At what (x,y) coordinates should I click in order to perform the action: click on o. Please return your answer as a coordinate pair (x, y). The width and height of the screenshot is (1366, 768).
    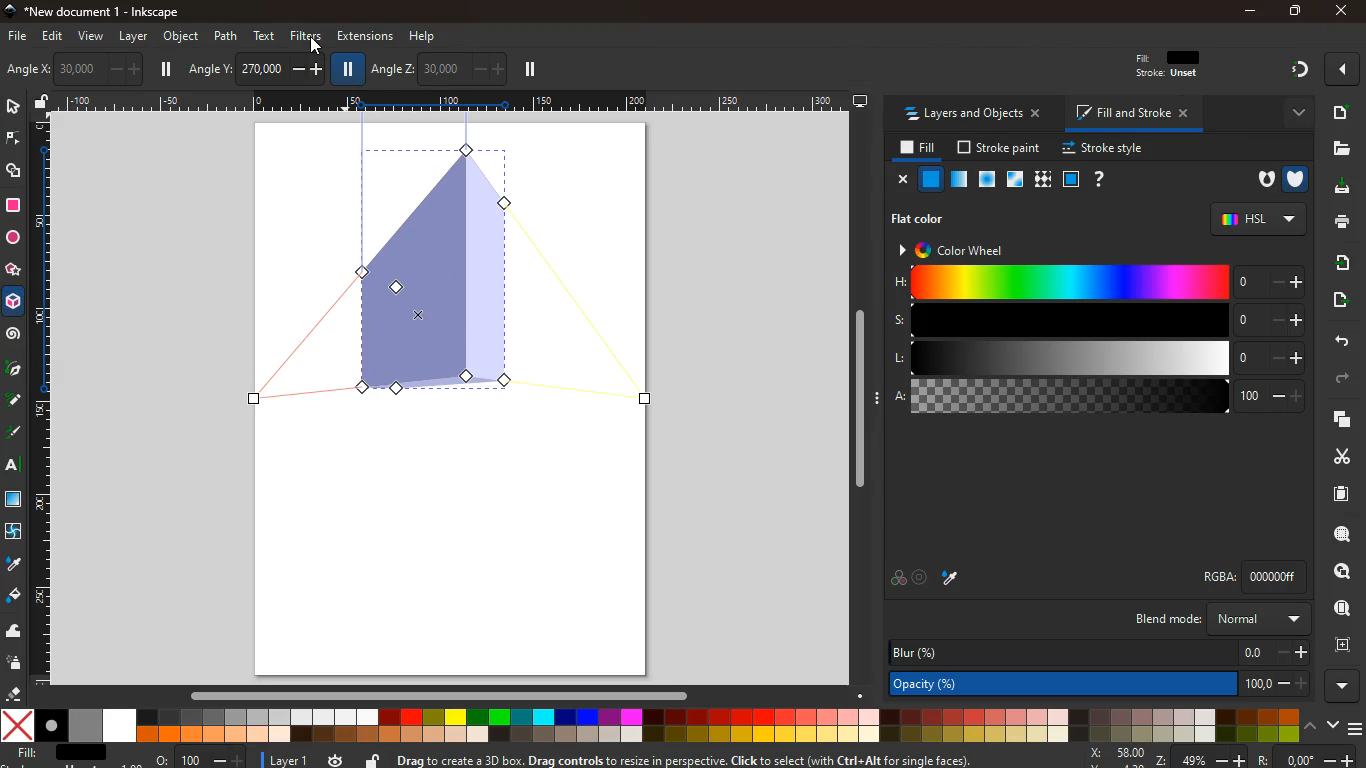
    Looking at the image, I should click on (196, 758).